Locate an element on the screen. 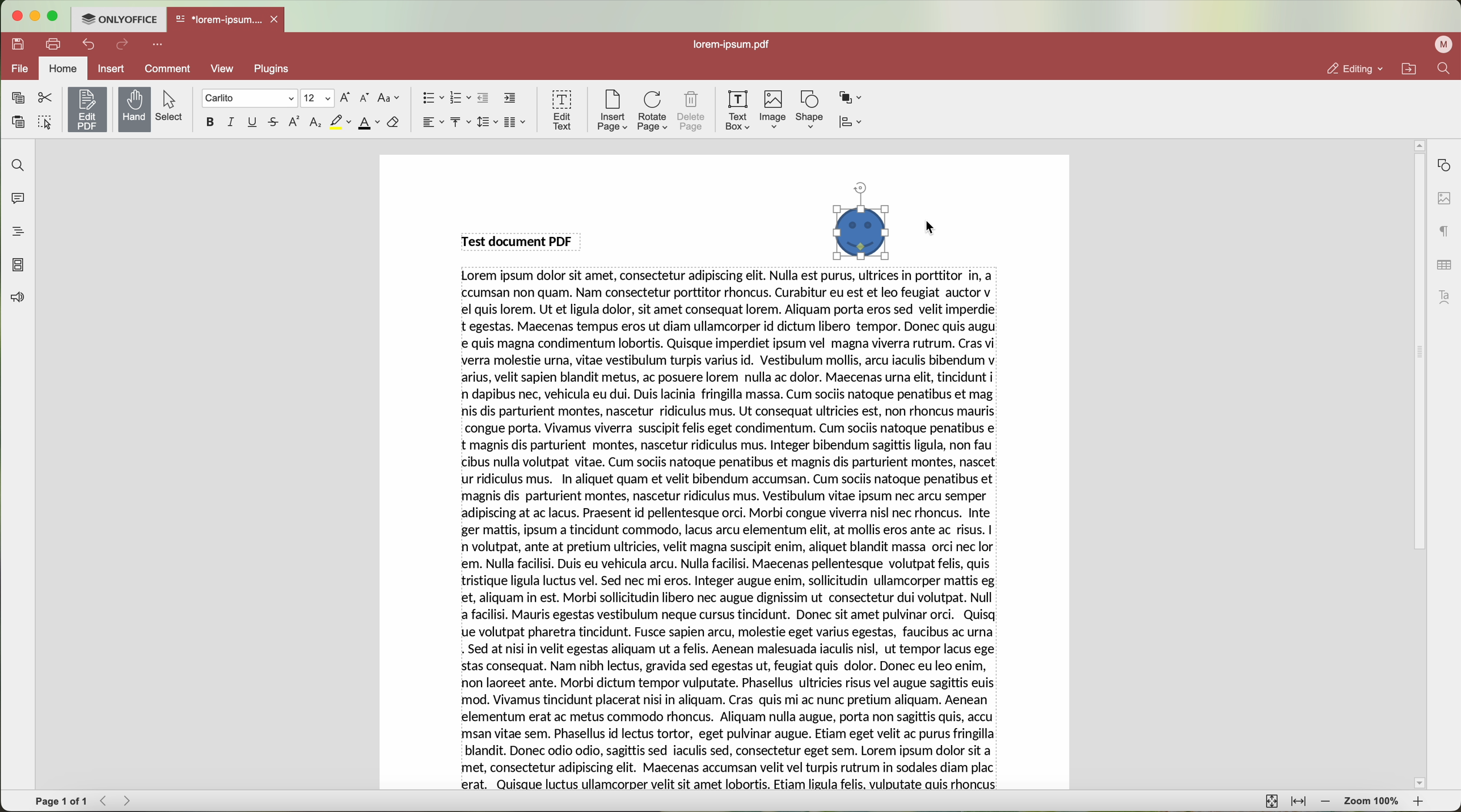  color font is located at coordinates (369, 123).